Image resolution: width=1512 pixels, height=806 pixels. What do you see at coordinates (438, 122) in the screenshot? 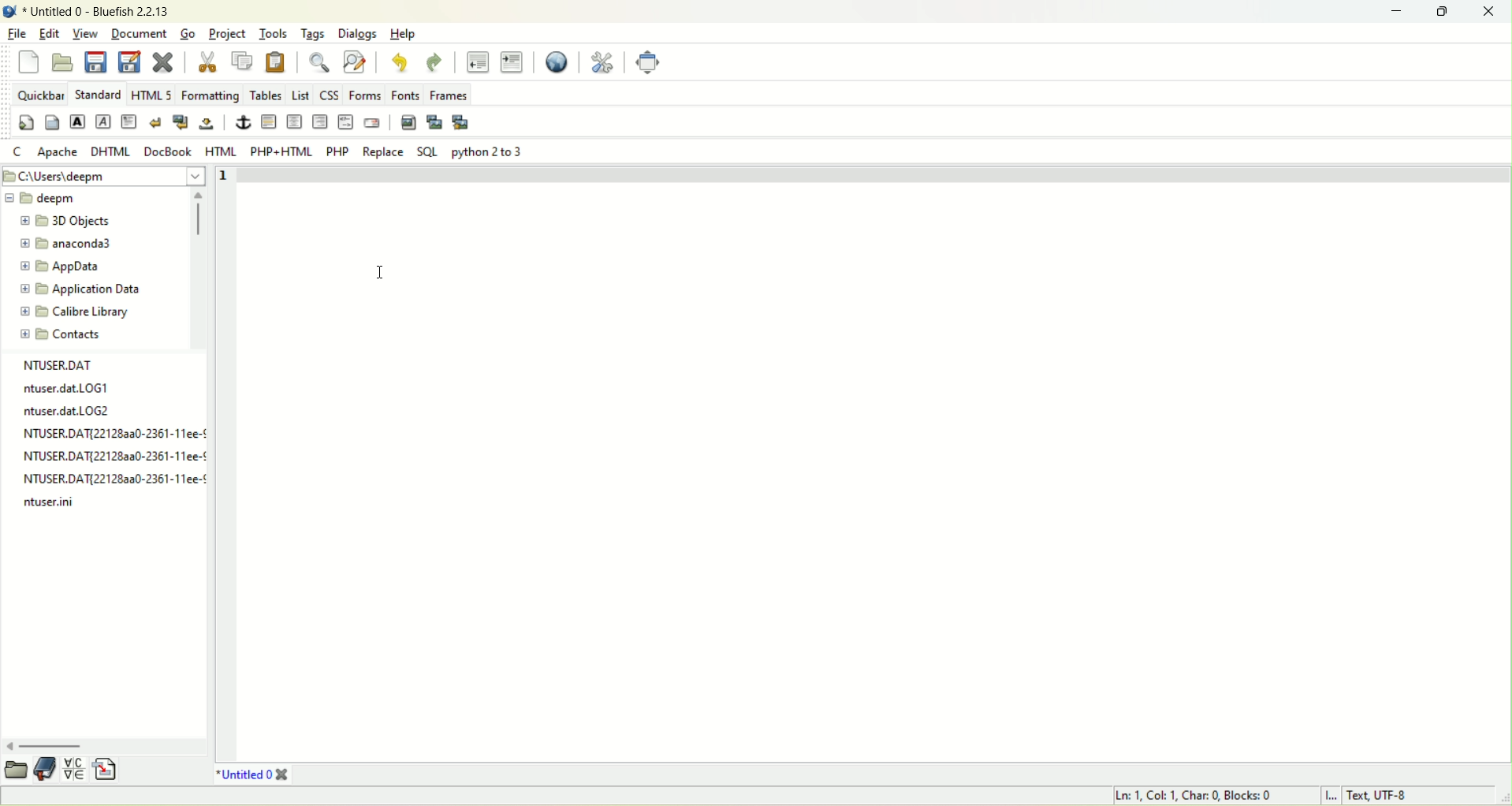
I see `insert plugin` at bounding box center [438, 122].